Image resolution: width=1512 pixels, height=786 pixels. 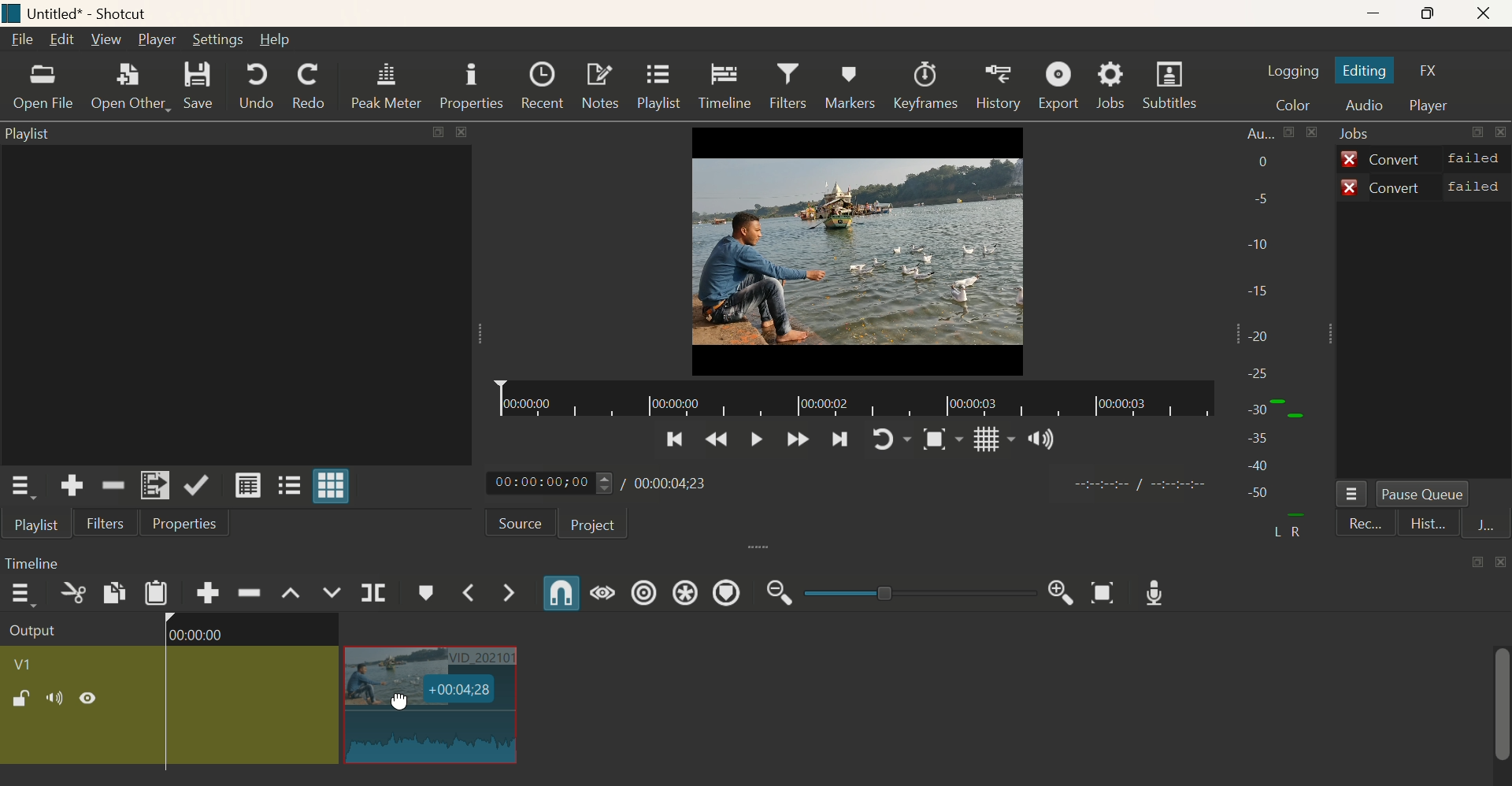 What do you see at coordinates (1411, 495) in the screenshot?
I see `` at bounding box center [1411, 495].